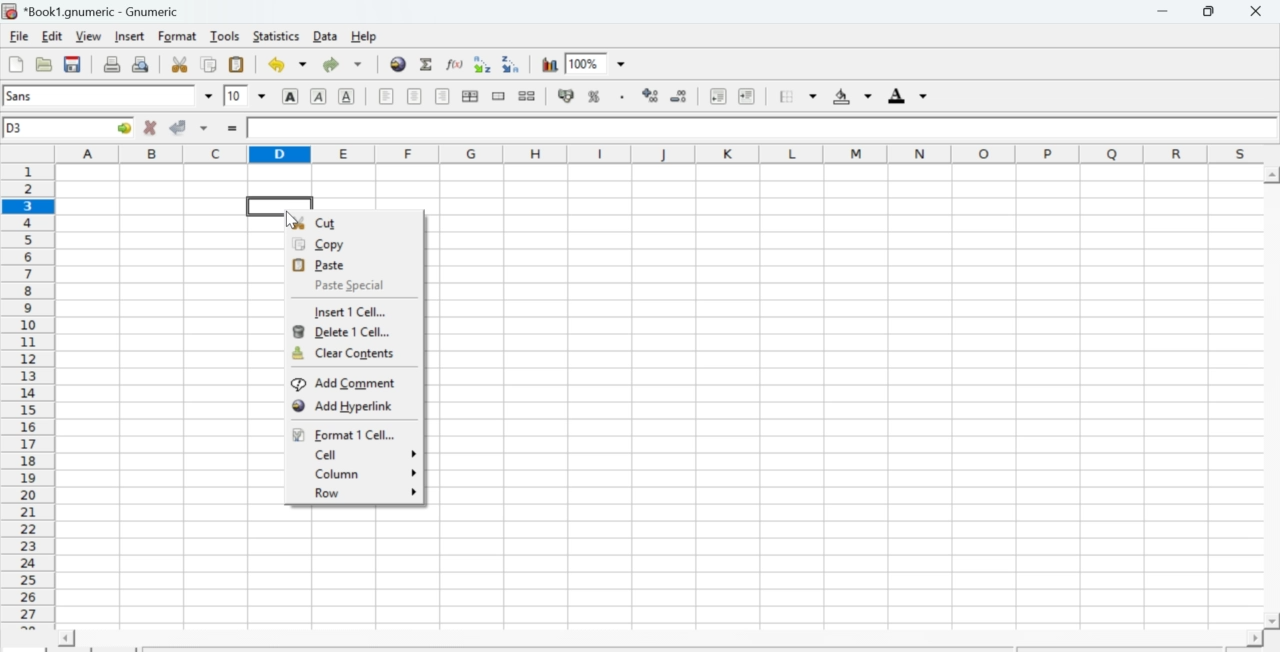 The width and height of the screenshot is (1280, 652). I want to click on Bold, so click(287, 96).